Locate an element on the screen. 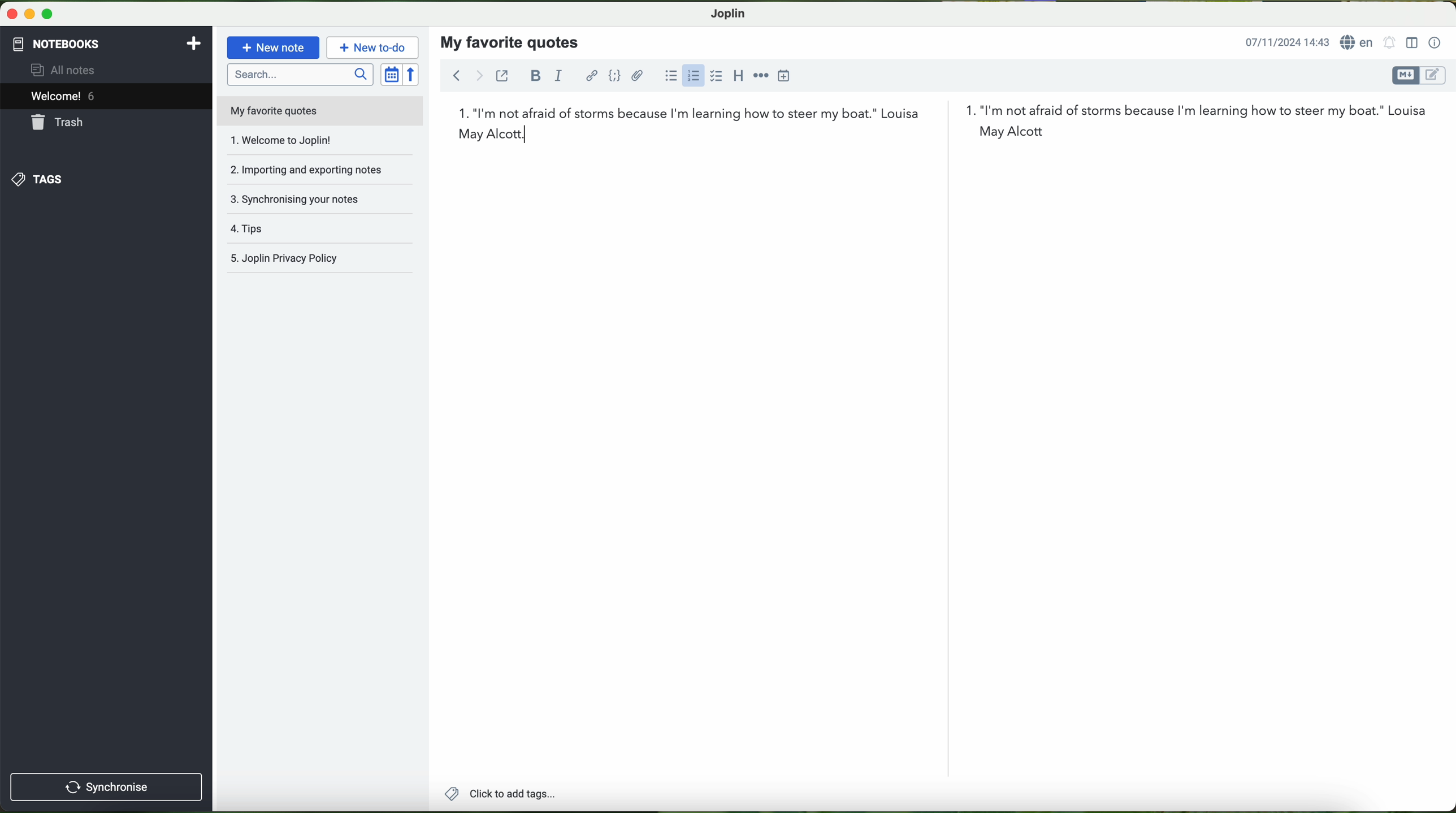  toggle sort order field is located at coordinates (389, 75).